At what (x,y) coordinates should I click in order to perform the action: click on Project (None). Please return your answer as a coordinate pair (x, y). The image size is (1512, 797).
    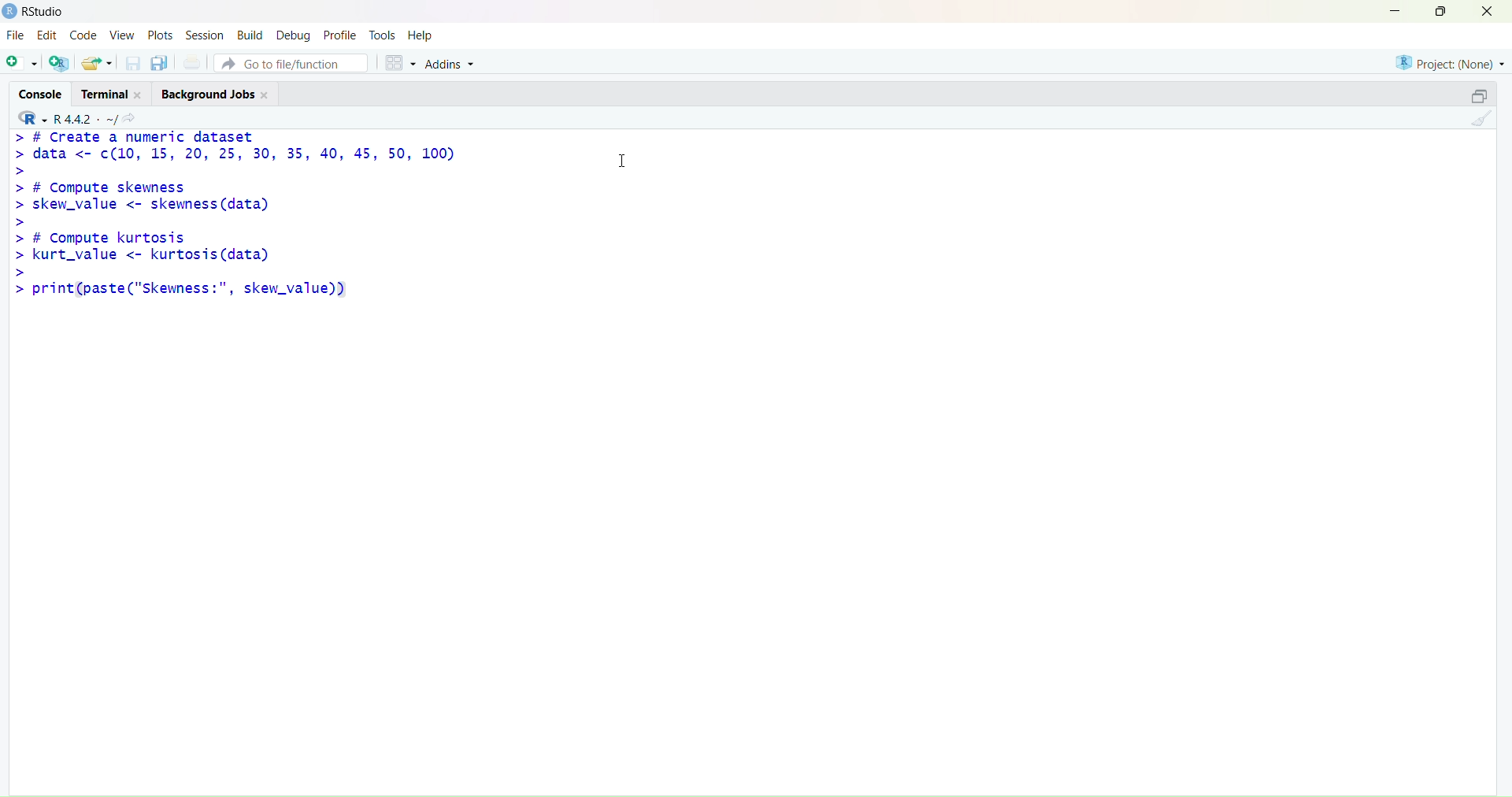
    Looking at the image, I should click on (1450, 65).